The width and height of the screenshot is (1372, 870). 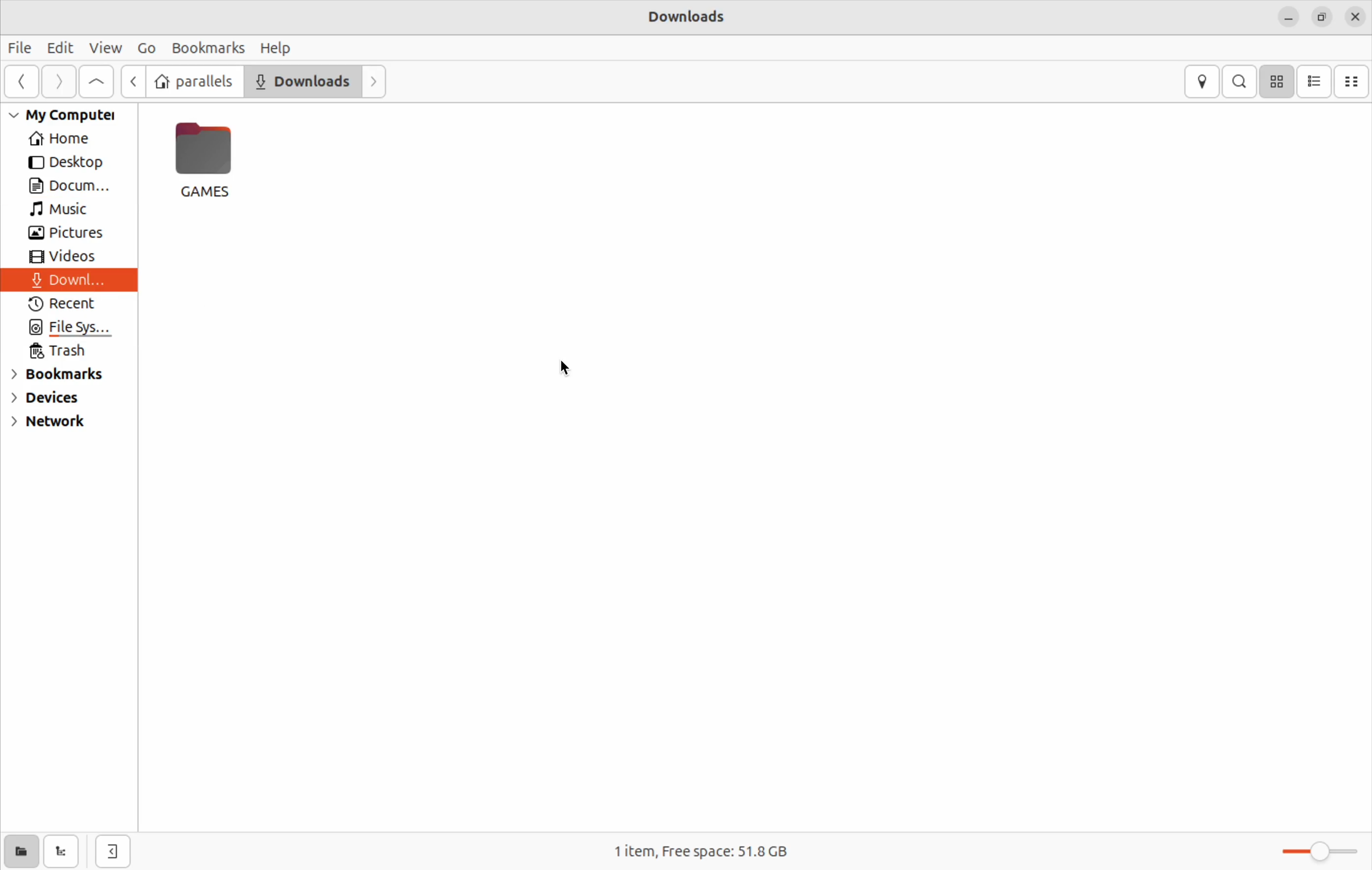 I want to click on Go next, so click(x=57, y=81).